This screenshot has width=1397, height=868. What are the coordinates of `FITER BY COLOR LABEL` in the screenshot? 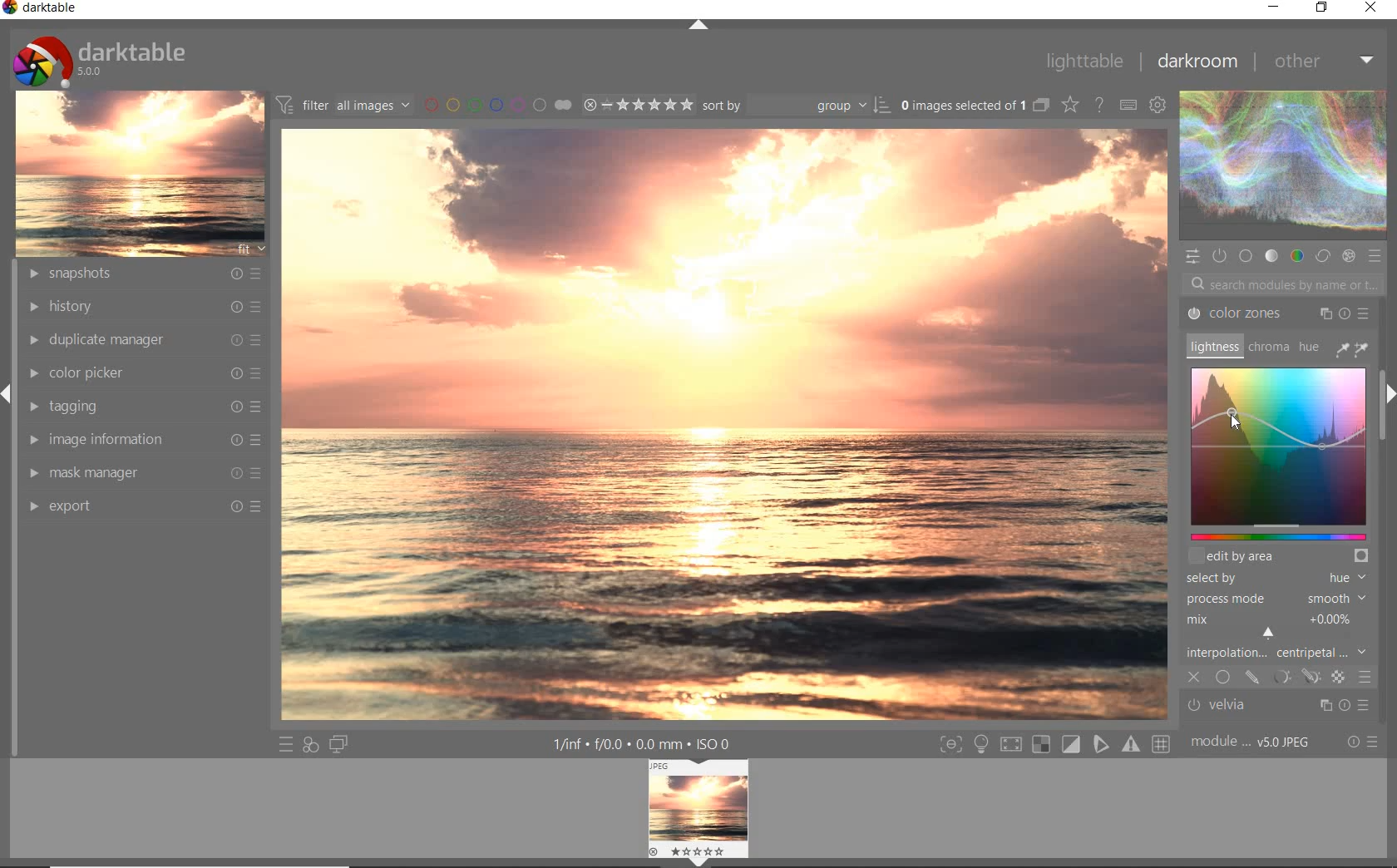 It's located at (496, 104).